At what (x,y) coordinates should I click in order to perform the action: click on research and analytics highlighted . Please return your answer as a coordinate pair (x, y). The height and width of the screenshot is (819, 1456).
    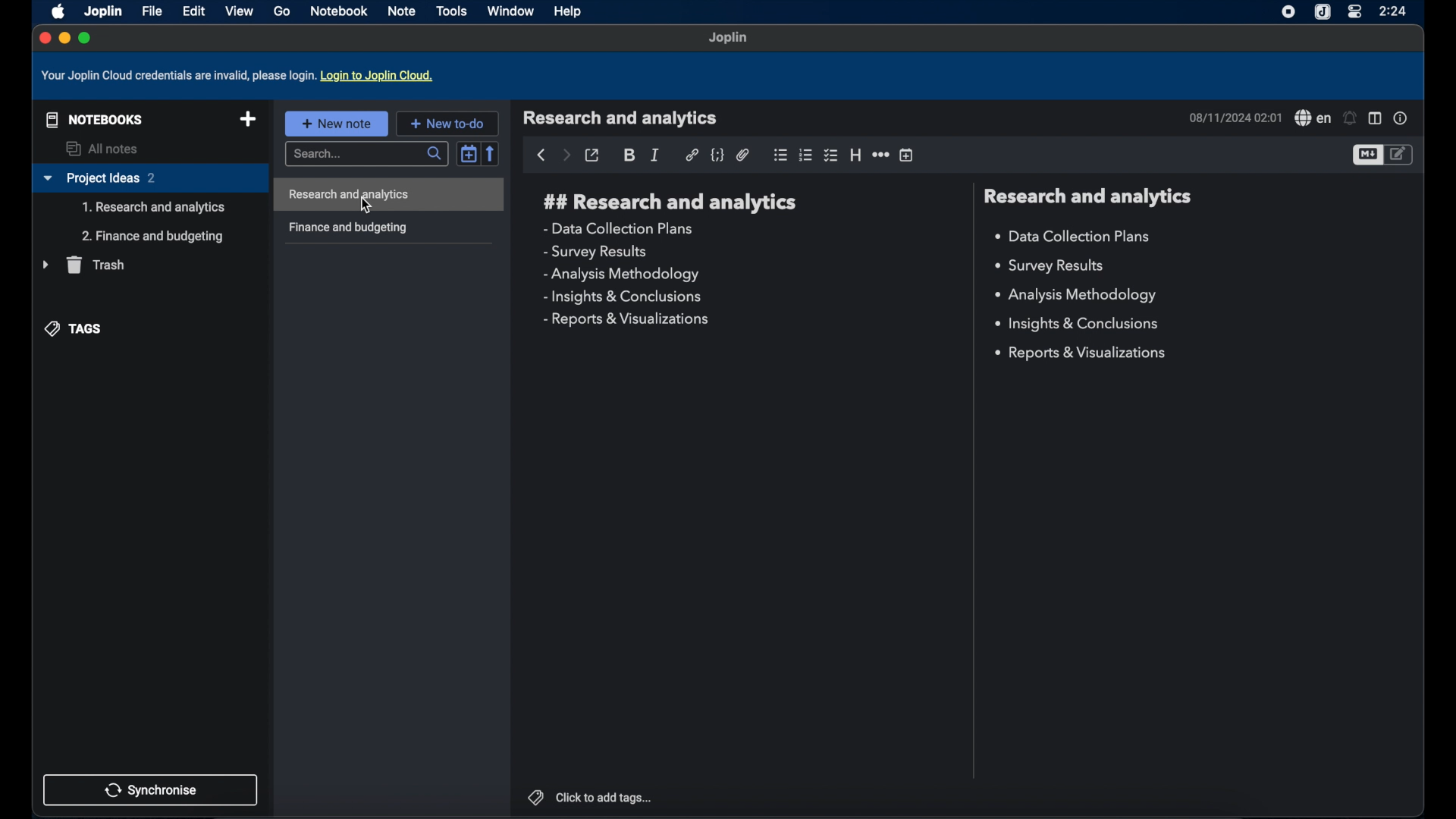
    Looking at the image, I should click on (391, 195).